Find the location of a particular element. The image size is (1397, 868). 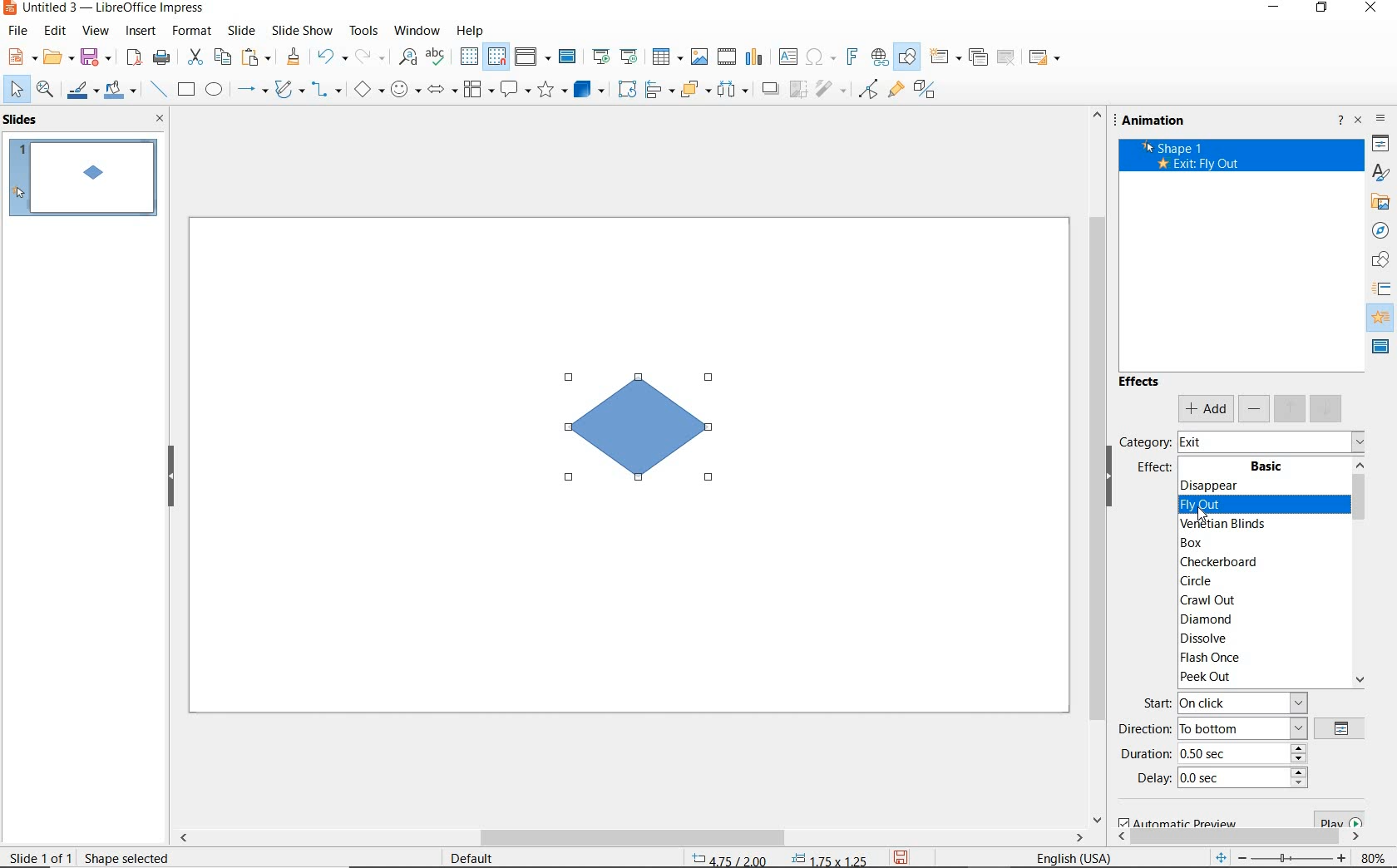

save is located at coordinates (96, 58).